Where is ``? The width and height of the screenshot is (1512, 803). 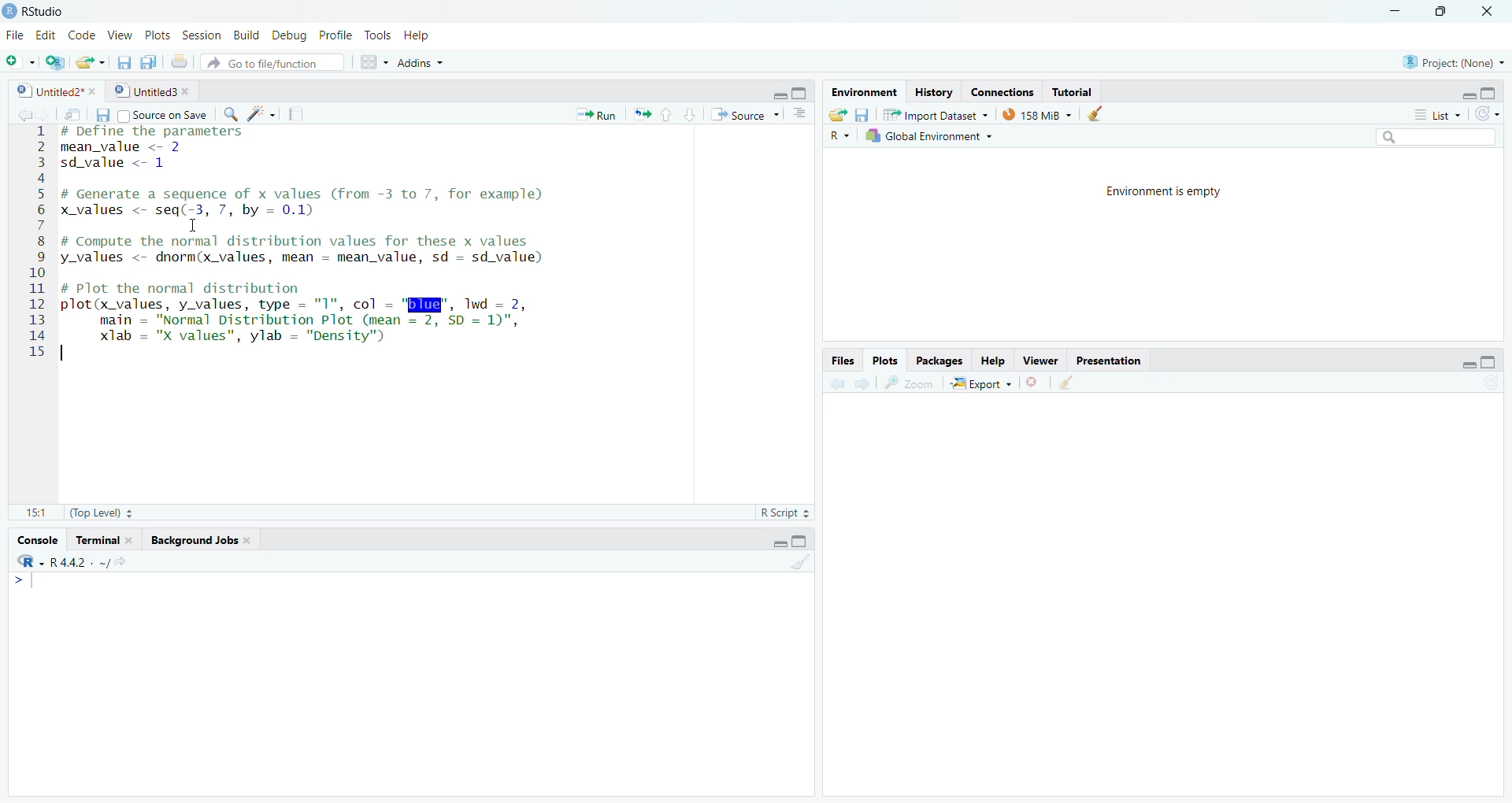  is located at coordinates (1477, 358).